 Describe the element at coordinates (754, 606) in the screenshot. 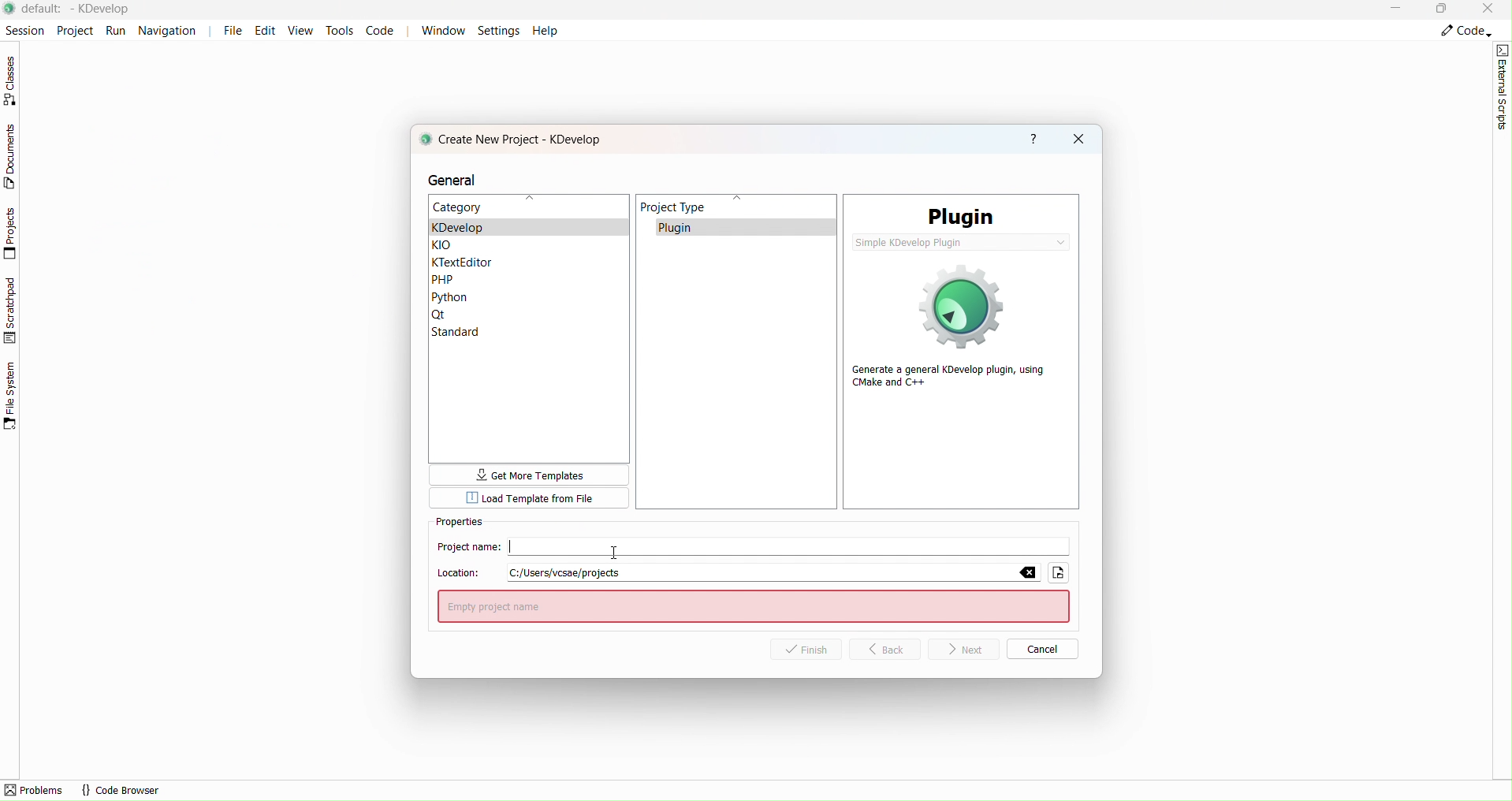

I see `enter project name` at that location.